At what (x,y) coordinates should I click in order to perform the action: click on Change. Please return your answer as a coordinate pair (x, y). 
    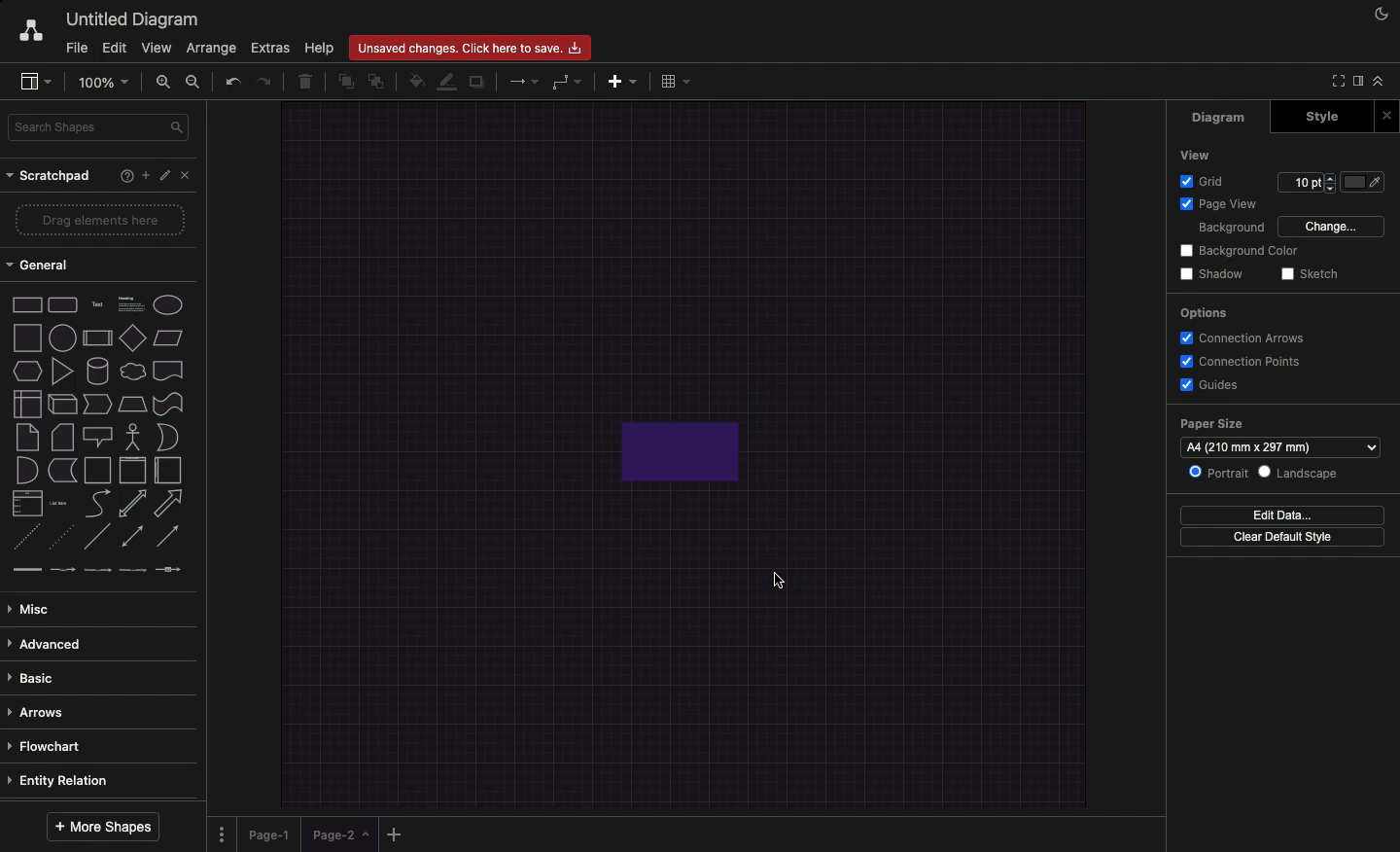
    Looking at the image, I should click on (1334, 228).